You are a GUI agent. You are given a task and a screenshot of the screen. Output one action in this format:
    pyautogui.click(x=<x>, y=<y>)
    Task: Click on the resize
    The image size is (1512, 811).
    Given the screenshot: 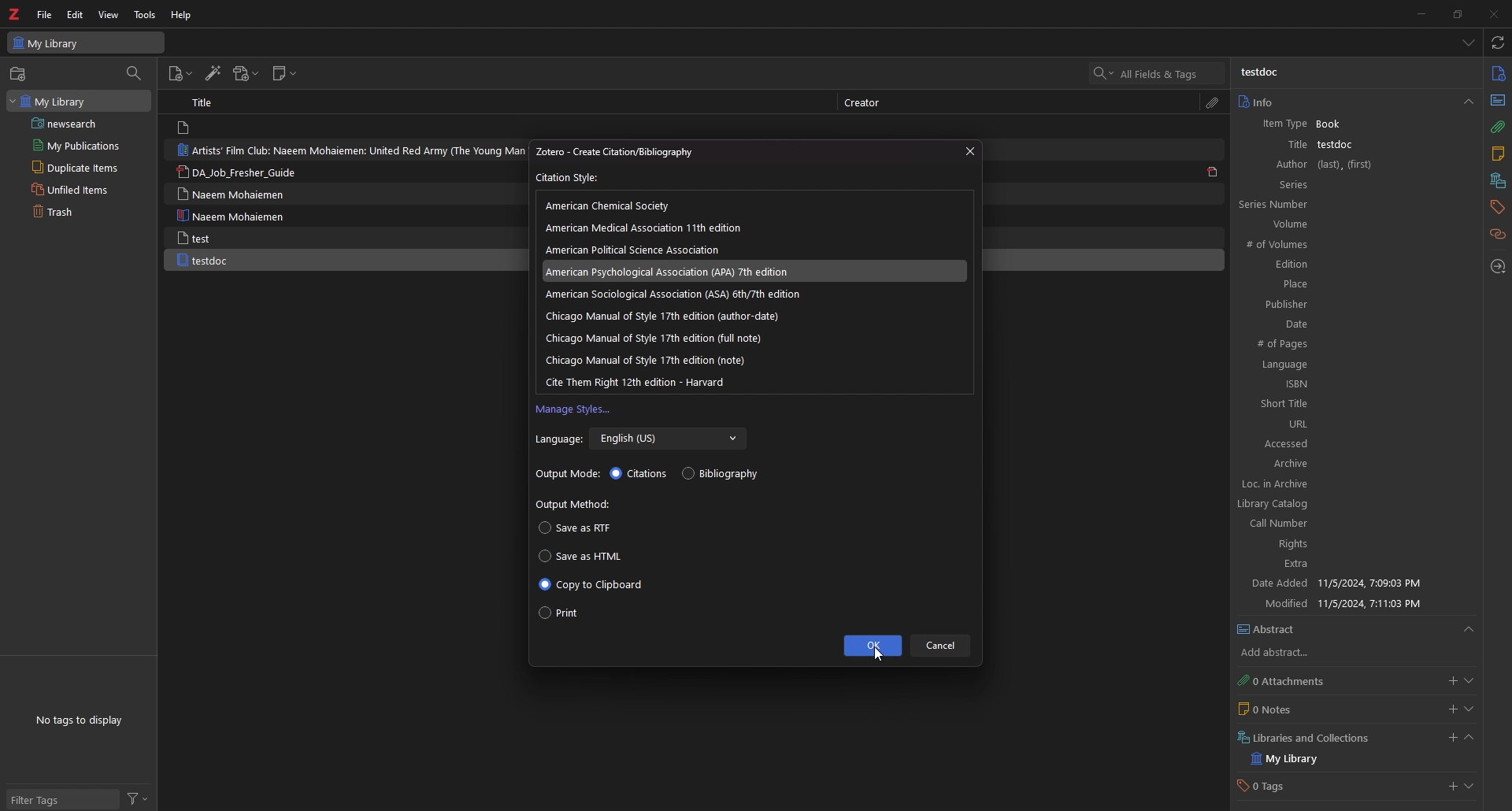 What is the action you would take?
    pyautogui.click(x=1457, y=13)
    